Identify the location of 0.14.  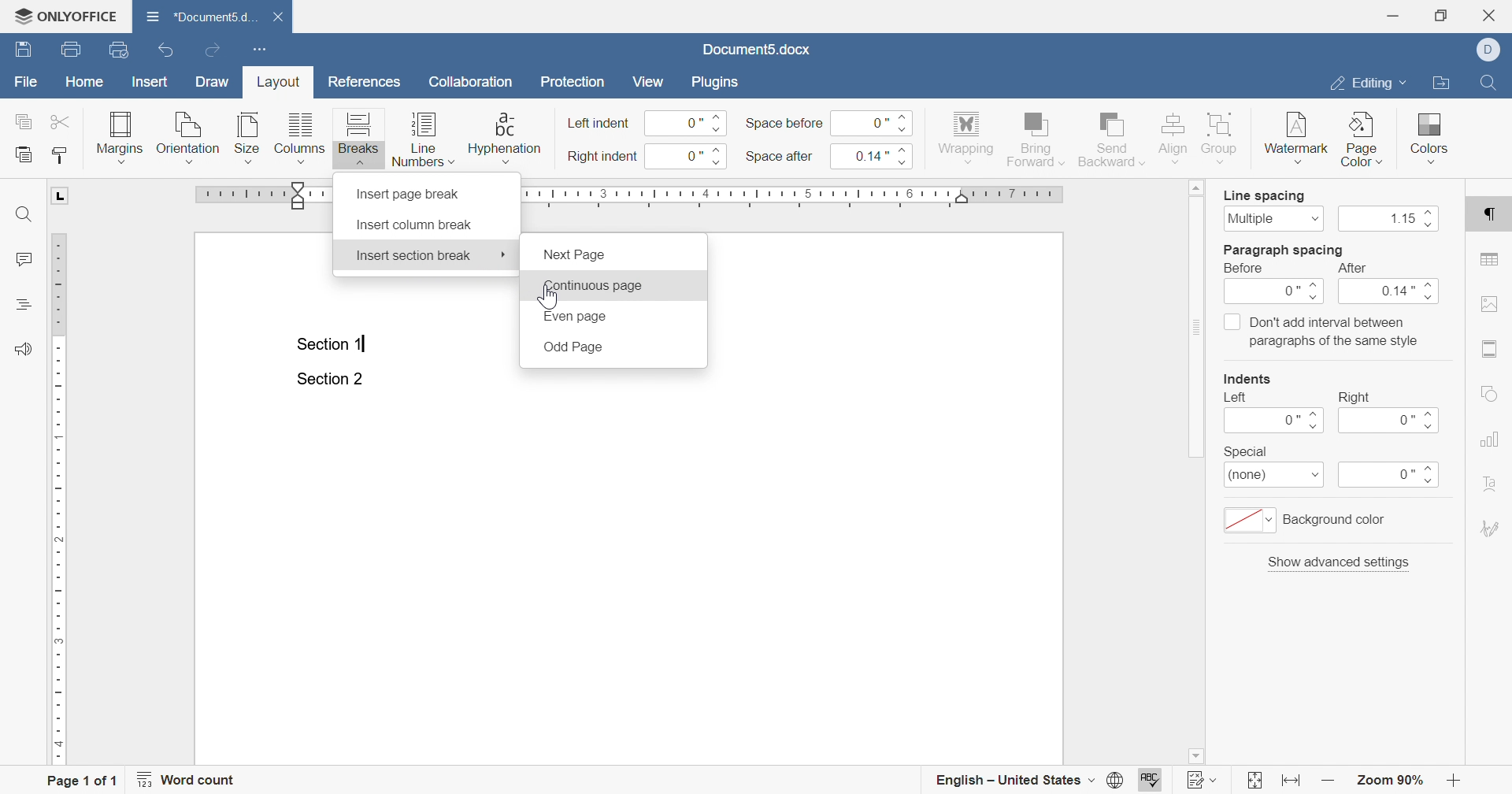
(1392, 293).